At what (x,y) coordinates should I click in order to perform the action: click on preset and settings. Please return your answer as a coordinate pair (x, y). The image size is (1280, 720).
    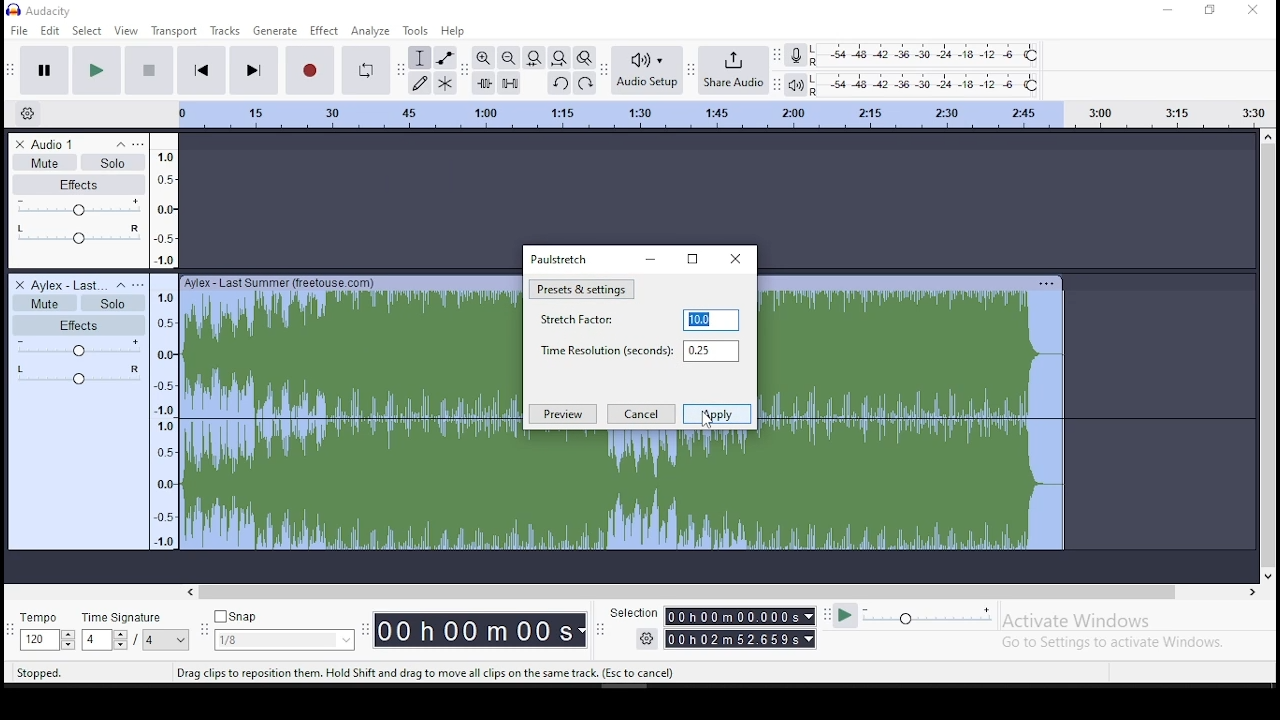
    Looking at the image, I should click on (582, 289).